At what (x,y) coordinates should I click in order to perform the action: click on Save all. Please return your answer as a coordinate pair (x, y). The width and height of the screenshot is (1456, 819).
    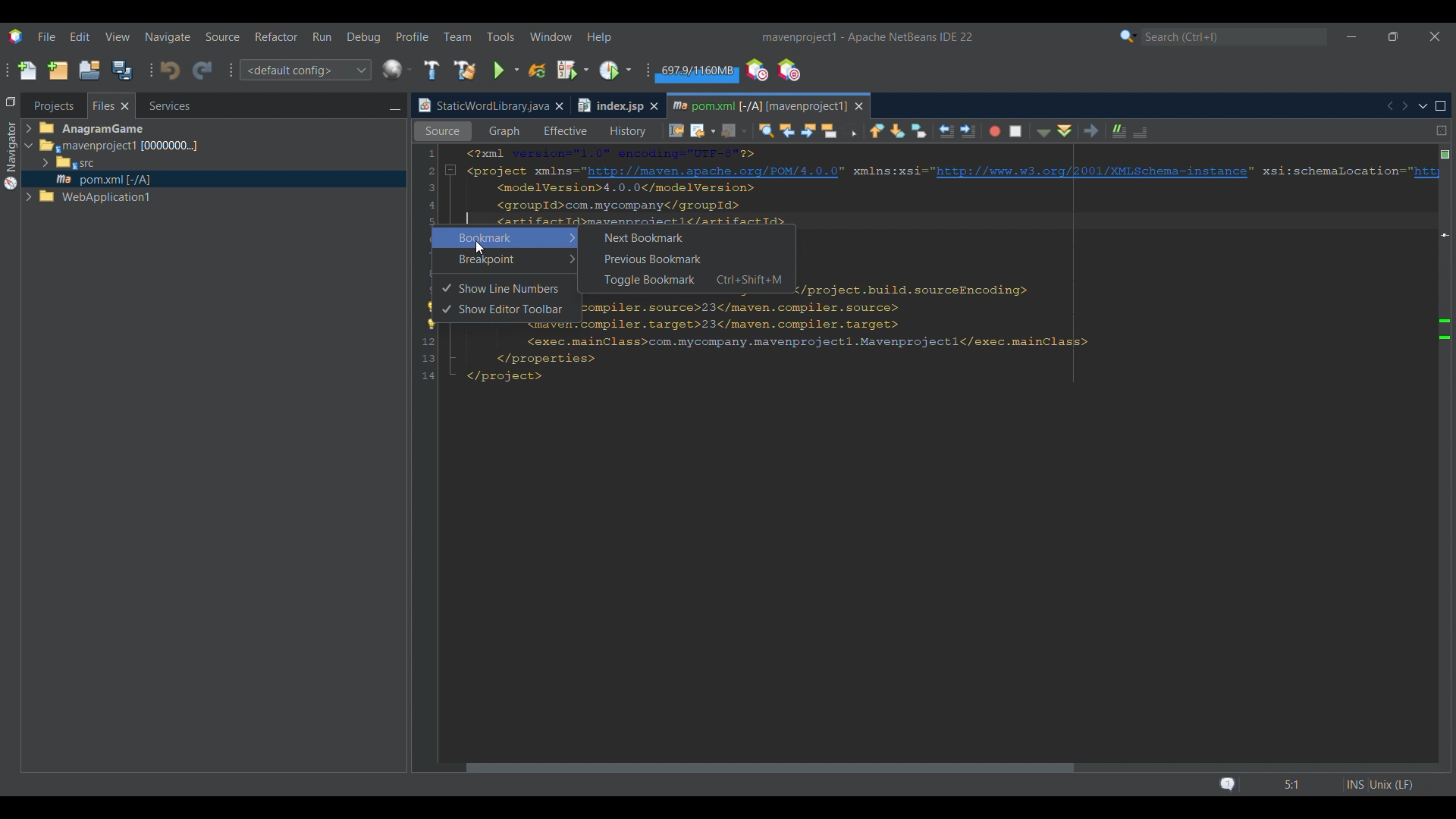
    Looking at the image, I should click on (122, 70).